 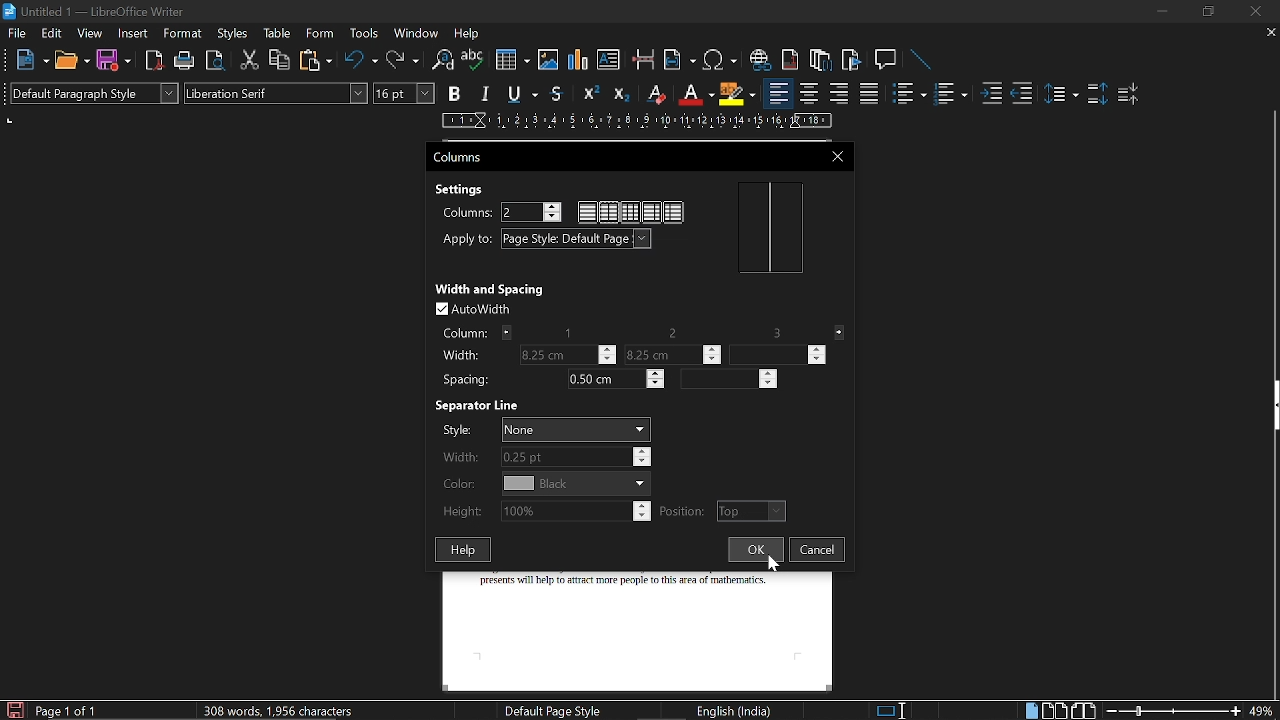 I want to click on Insert comment, so click(x=888, y=60).